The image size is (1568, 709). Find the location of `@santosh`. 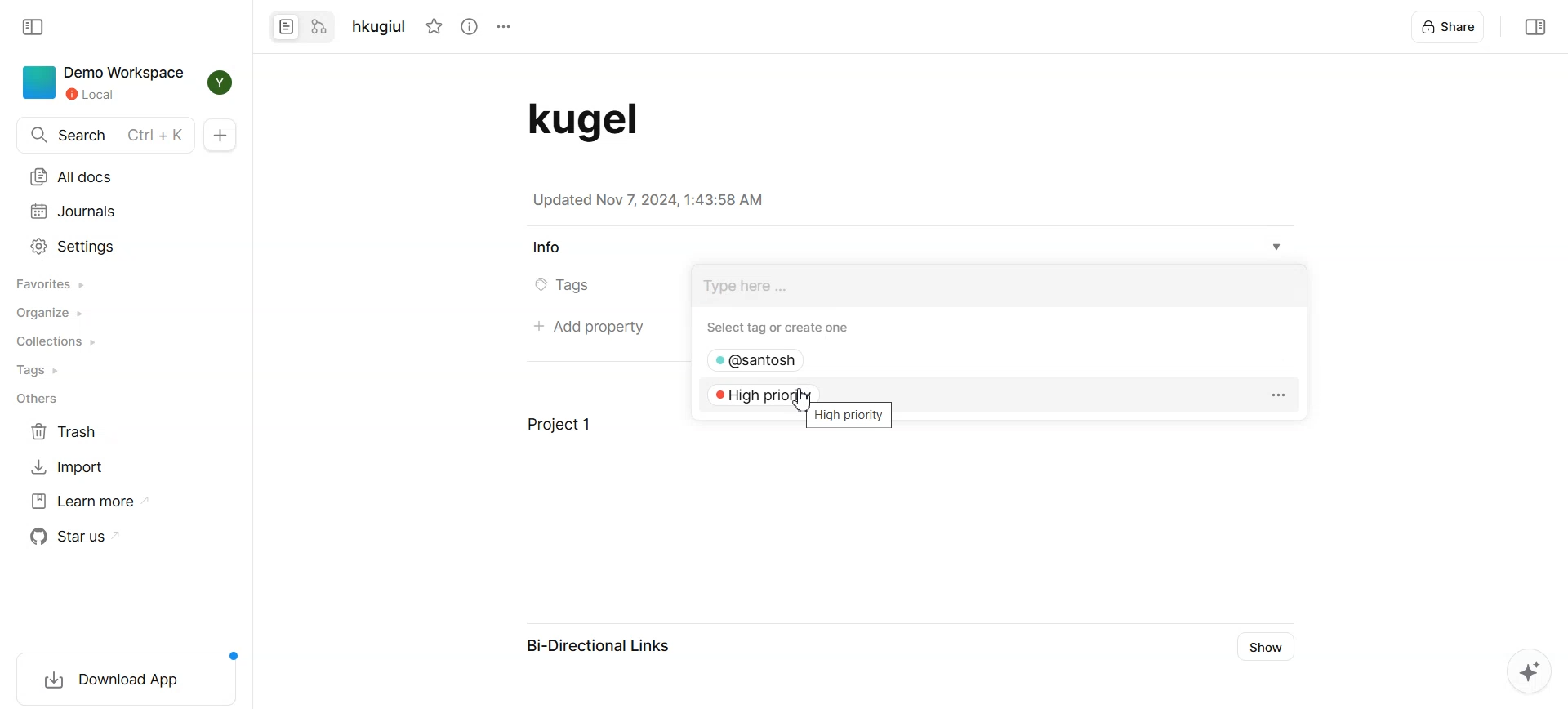

@santosh is located at coordinates (800, 359).